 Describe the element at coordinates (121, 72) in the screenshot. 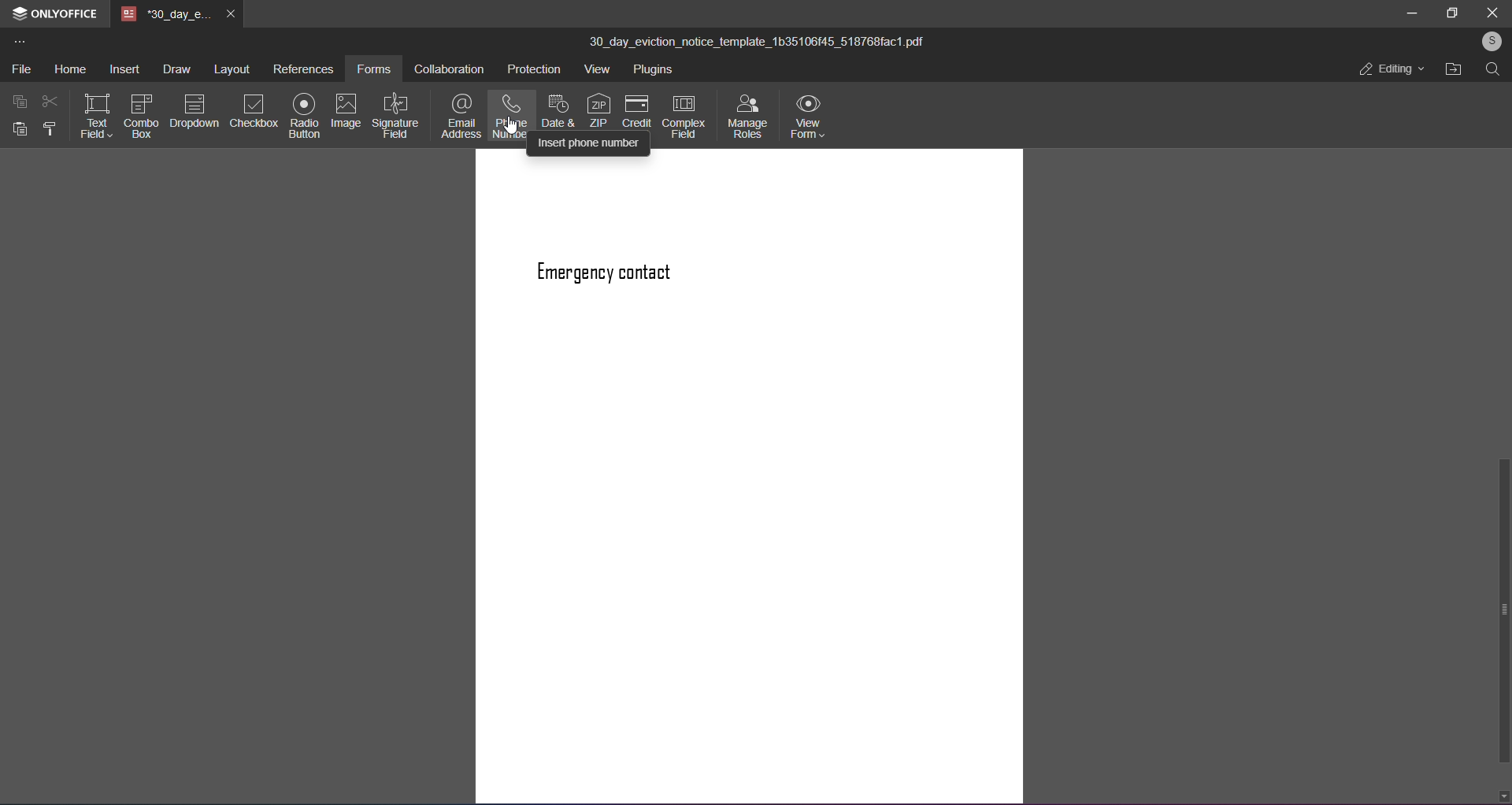

I see `insert` at that location.